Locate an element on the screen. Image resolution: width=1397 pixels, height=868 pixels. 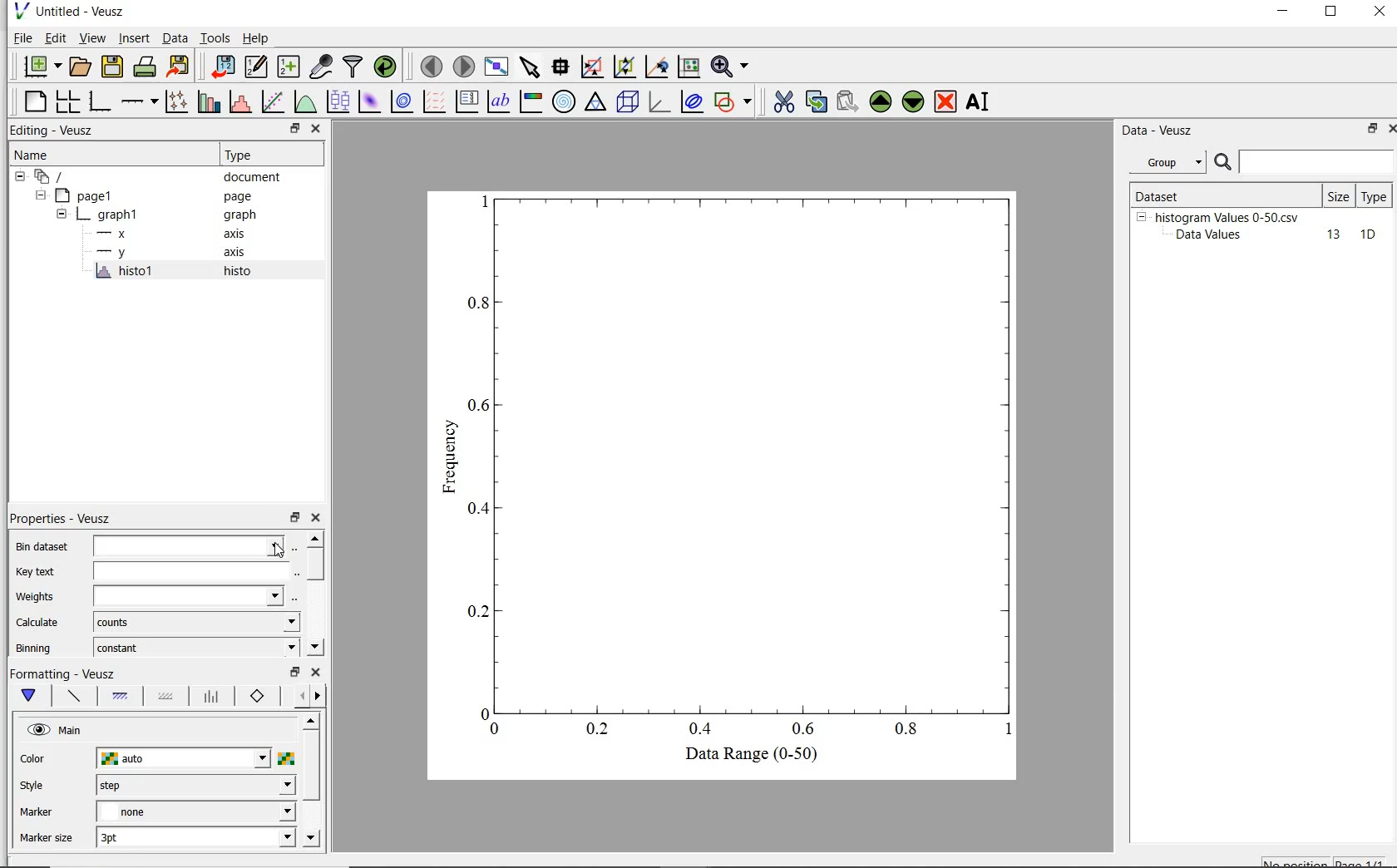
close is located at coordinates (318, 518).